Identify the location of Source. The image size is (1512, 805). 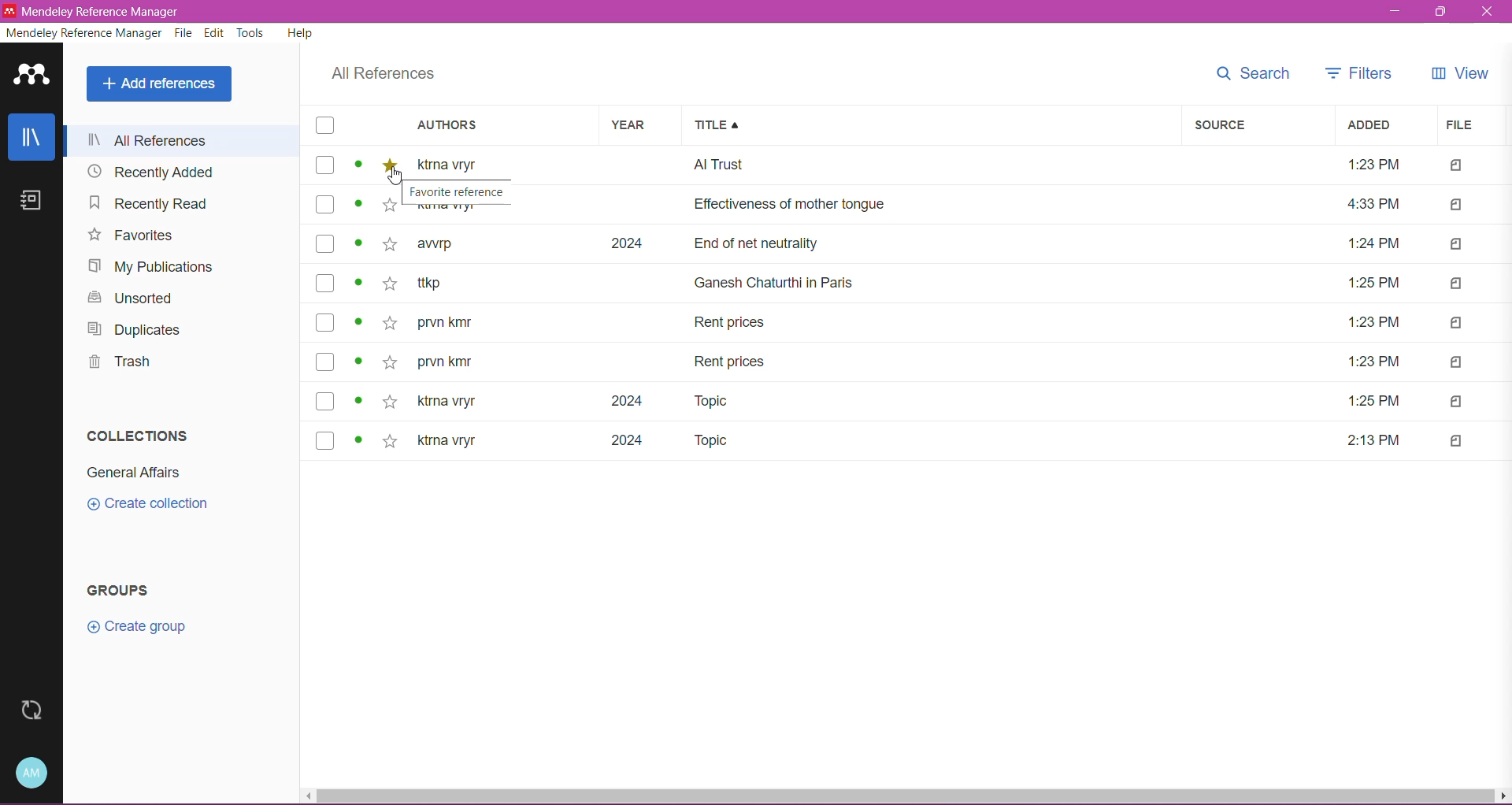
(1259, 125).